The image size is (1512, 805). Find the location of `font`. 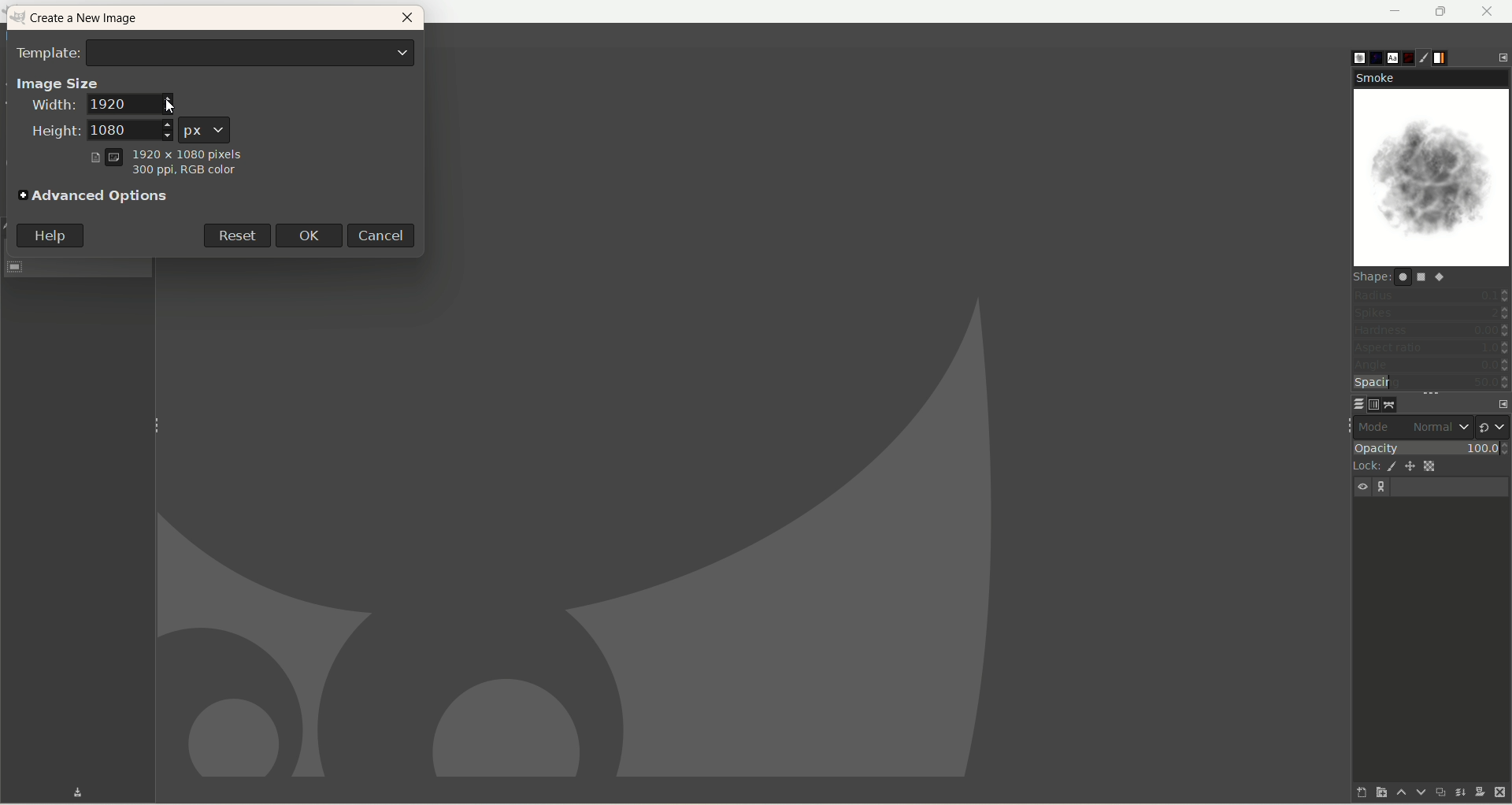

font is located at coordinates (1389, 57).